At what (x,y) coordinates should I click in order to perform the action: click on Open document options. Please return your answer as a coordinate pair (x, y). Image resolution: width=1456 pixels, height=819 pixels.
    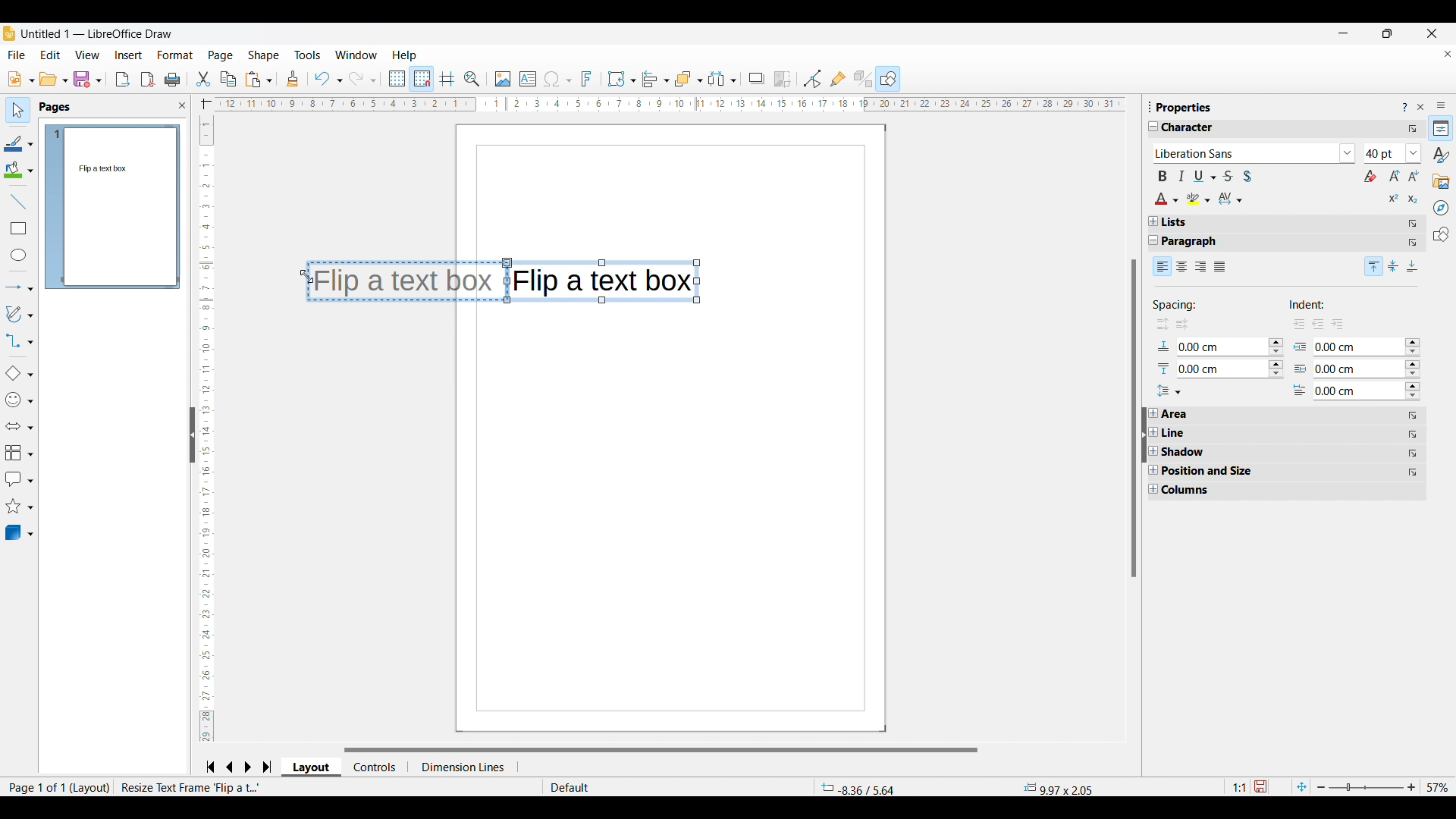
    Looking at the image, I should click on (54, 78).